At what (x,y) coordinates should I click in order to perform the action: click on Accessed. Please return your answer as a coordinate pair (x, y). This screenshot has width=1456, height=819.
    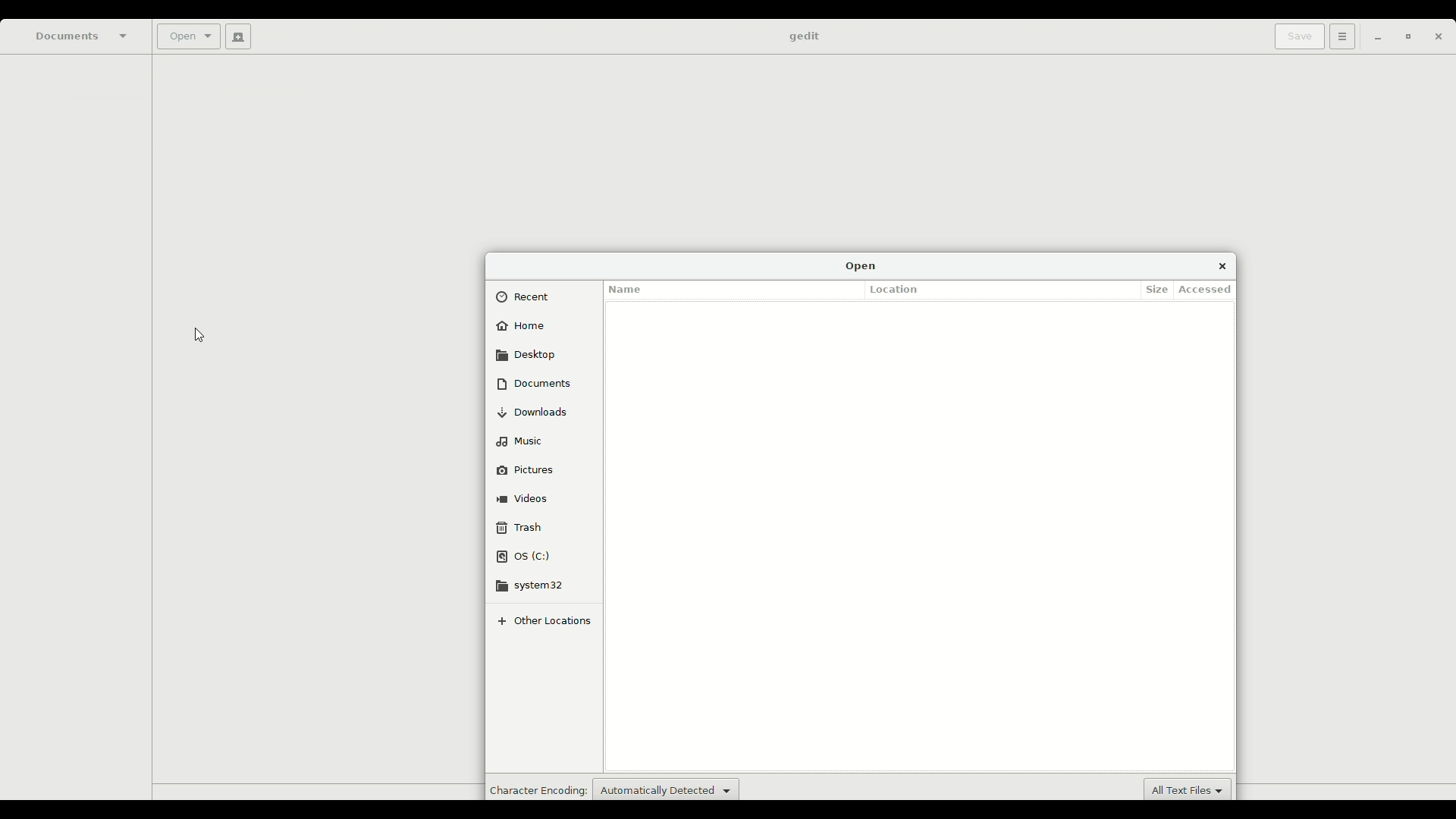
    Looking at the image, I should click on (1209, 290).